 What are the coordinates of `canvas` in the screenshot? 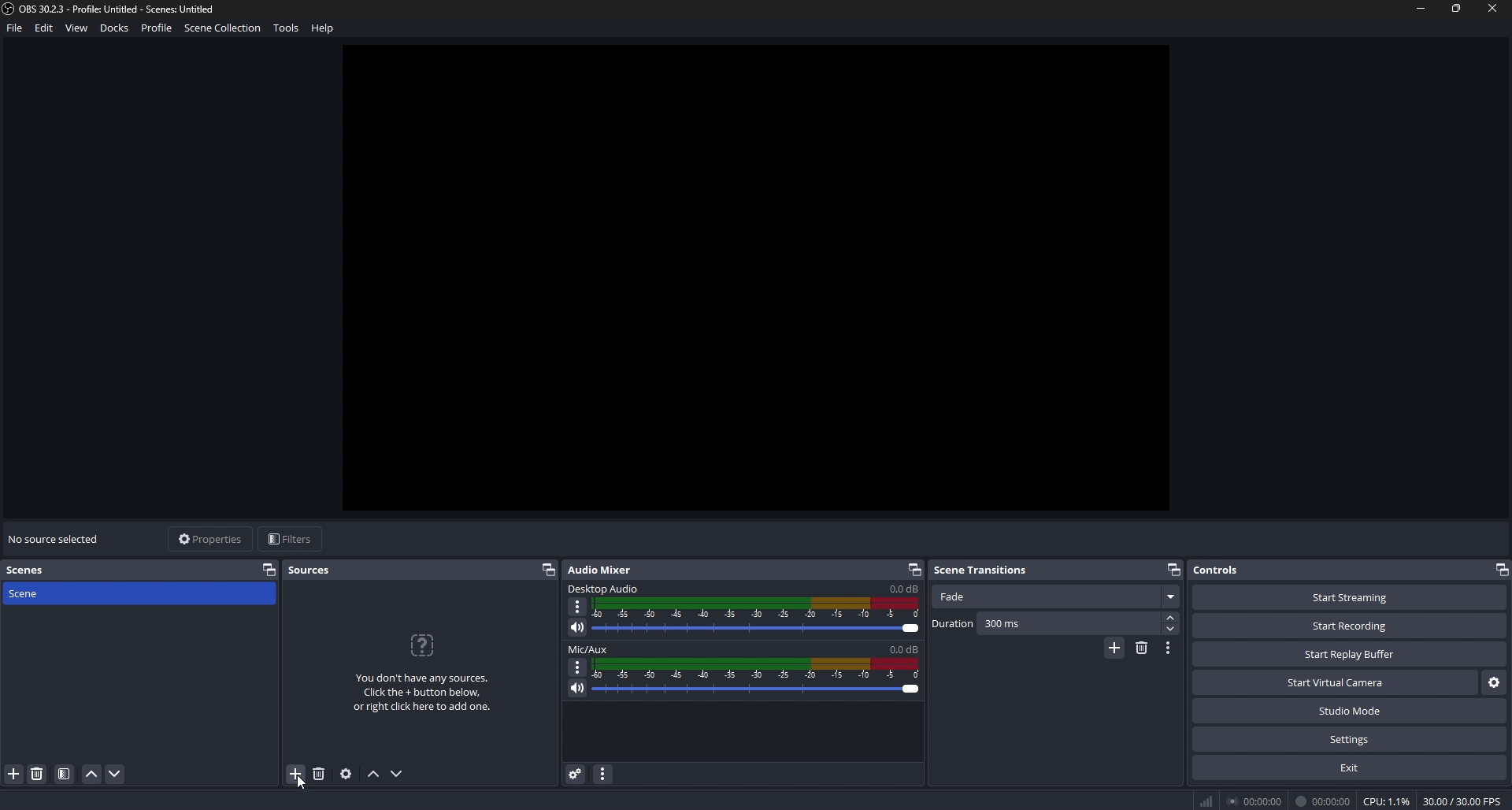 It's located at (758, 276).